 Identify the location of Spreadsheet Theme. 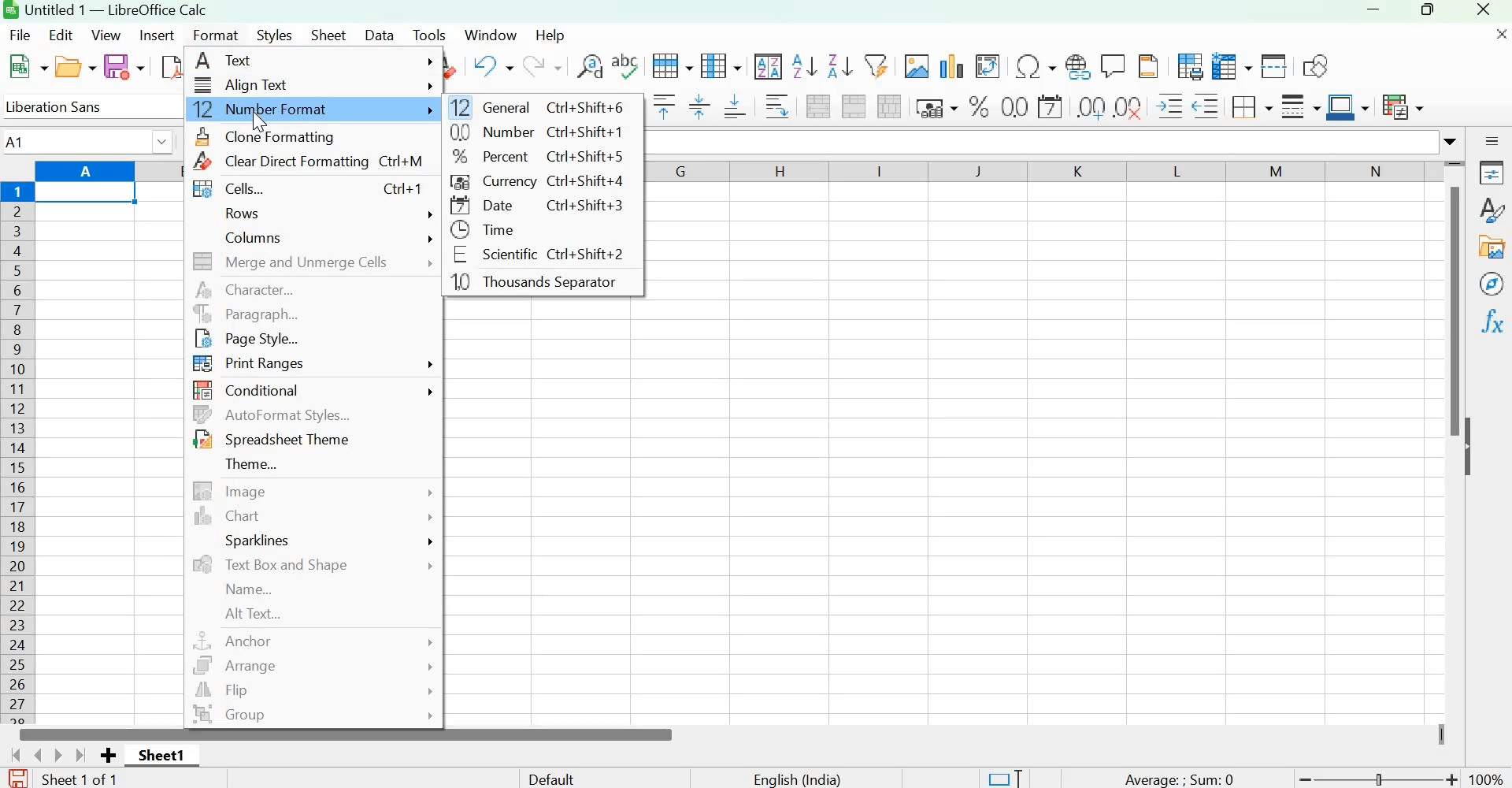
(270, 440).